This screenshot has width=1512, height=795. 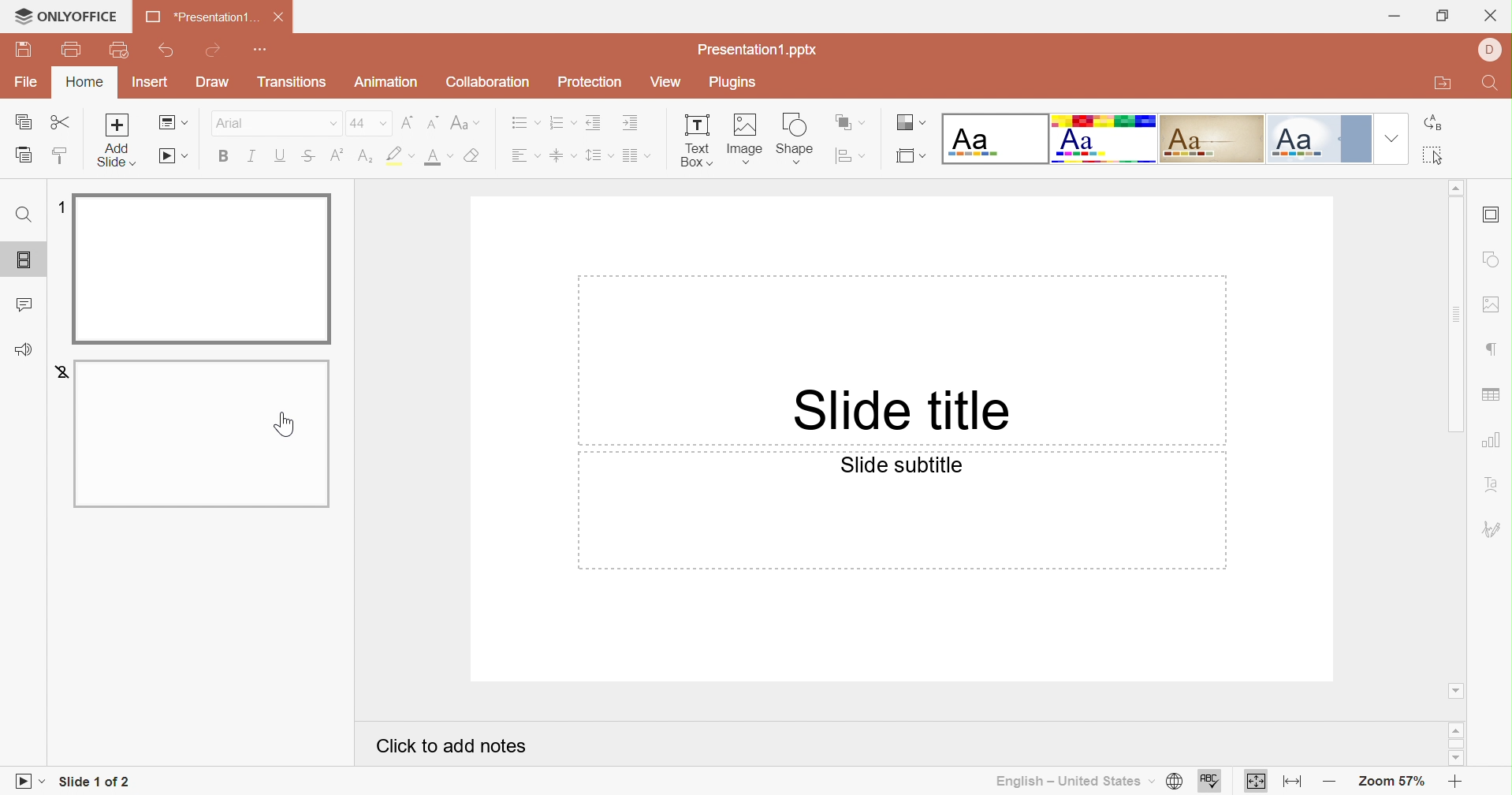 I want to click on Drop down, so click(x=1393, y=139).